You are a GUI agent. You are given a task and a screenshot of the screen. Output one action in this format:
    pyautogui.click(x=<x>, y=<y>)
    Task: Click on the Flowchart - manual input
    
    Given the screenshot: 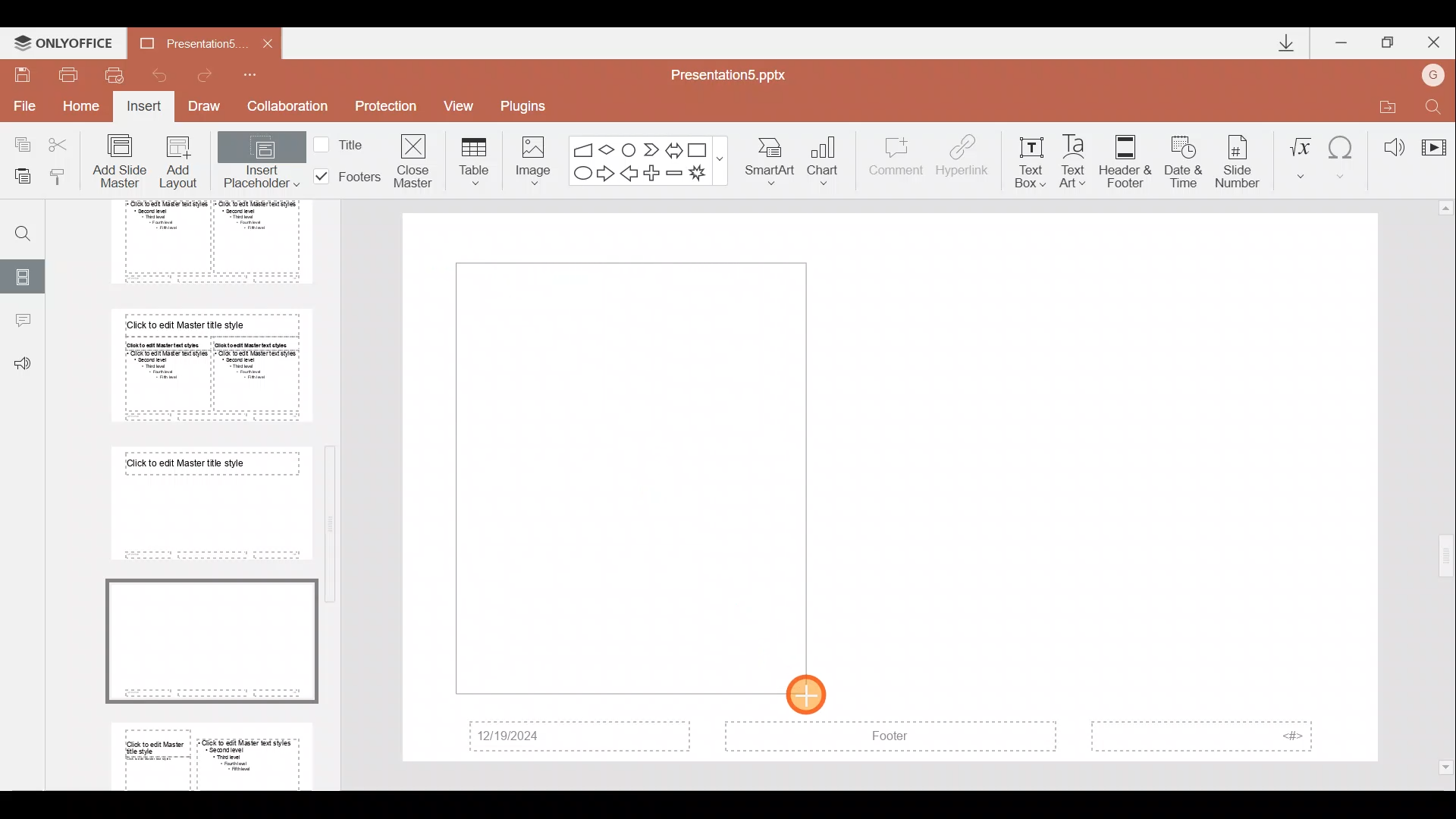 What is the action you would take?
    pyautogui.click(x=582, y=147)
    